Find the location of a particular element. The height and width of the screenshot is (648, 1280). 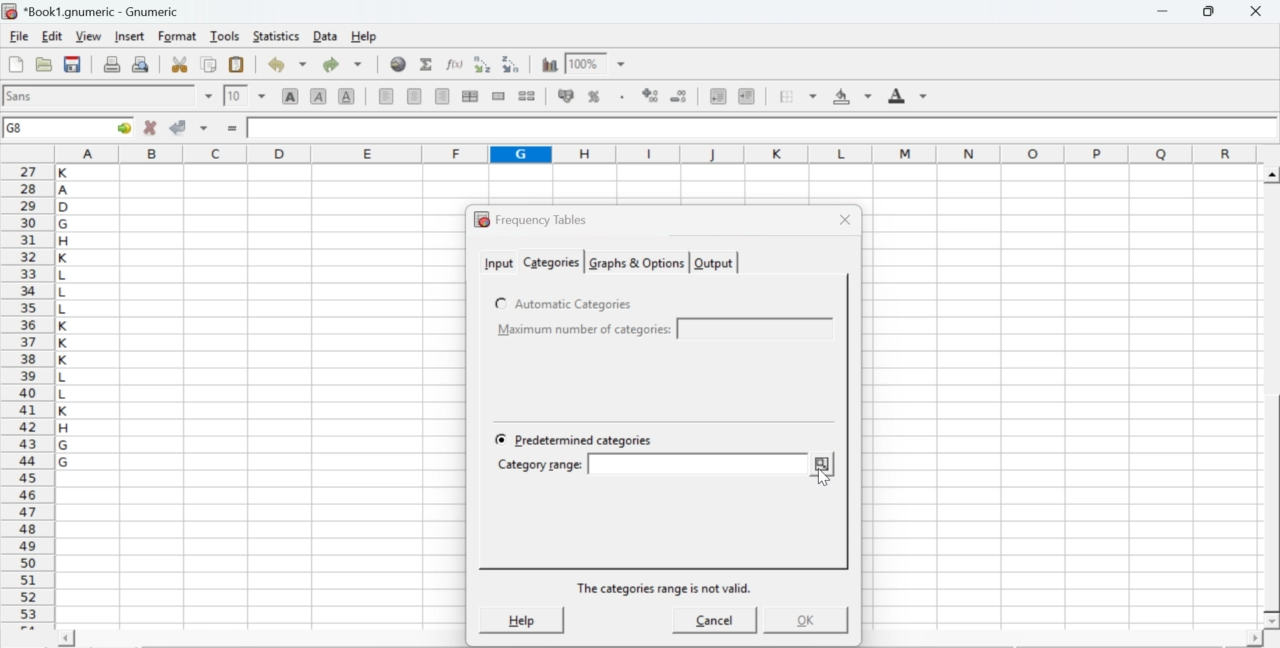

minimize is located at coordinates (1164, 11).